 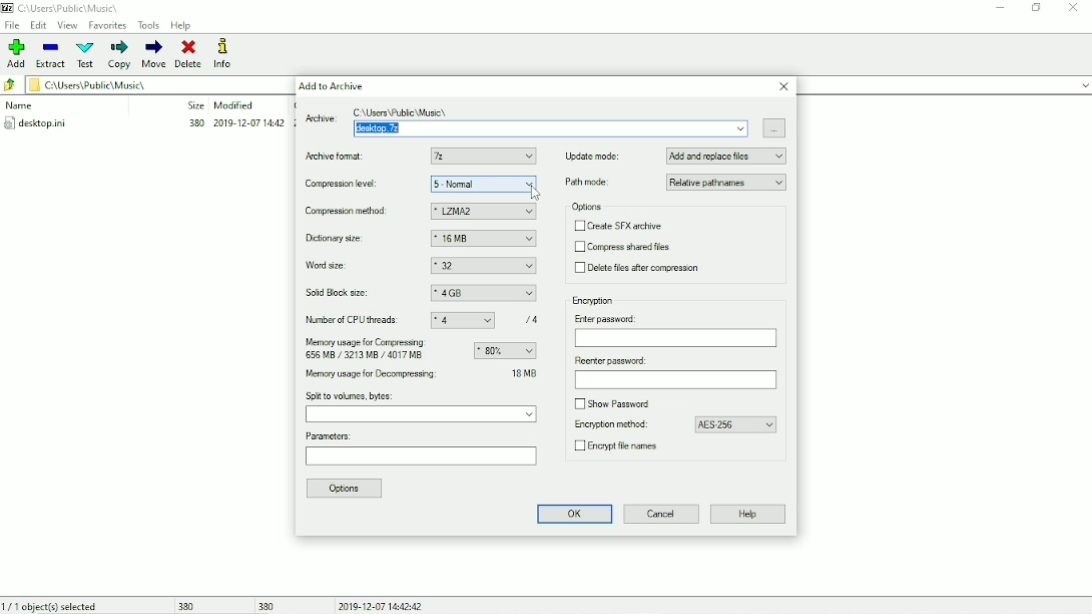 I want to click on Browse, so click(x=775, y=127).